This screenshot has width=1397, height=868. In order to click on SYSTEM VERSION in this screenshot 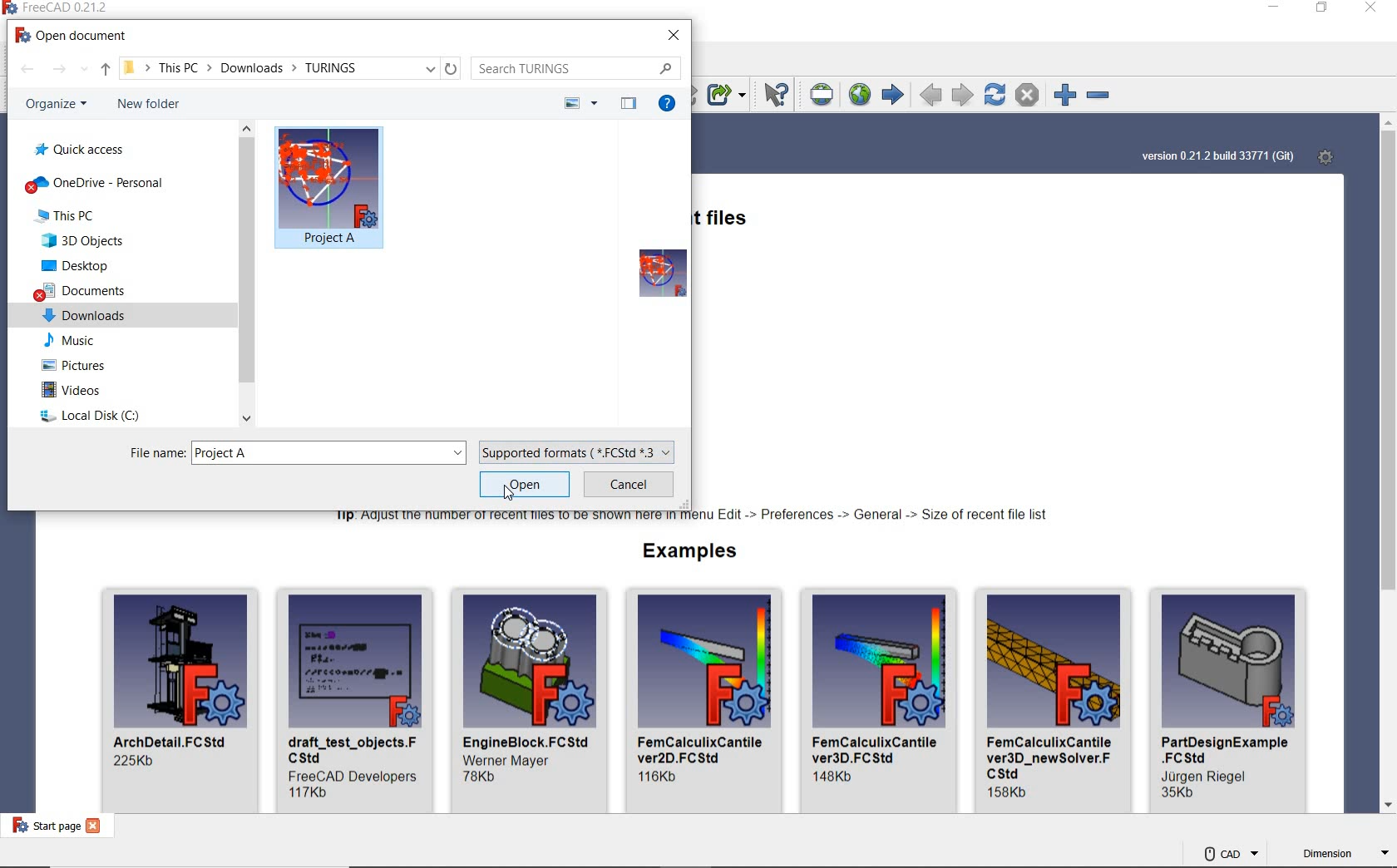, I will do `click(1217, 157)`.